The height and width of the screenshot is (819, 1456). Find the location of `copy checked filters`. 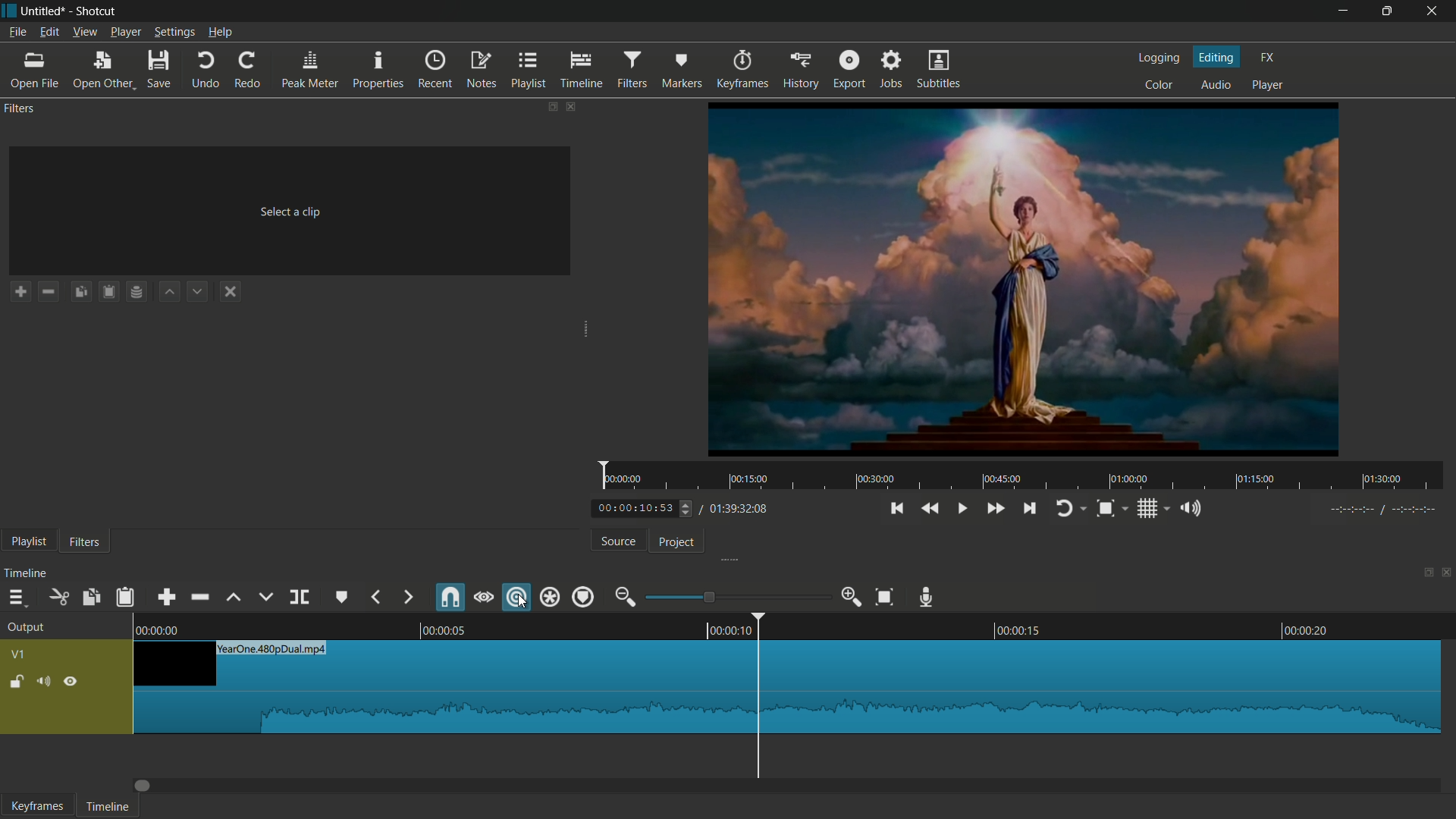

copy checked filters is located at coordinates (80, 292).